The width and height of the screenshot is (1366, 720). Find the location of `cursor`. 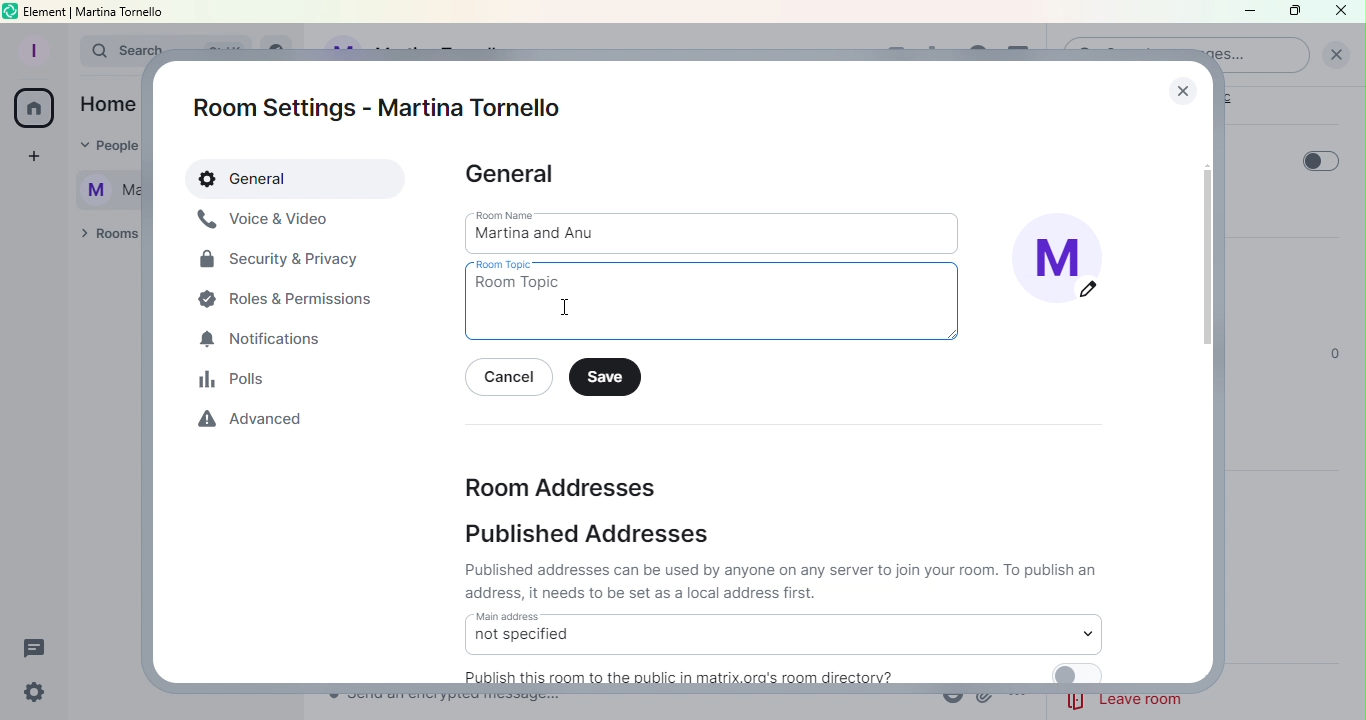

cursor is located at coordinates (569, 309).